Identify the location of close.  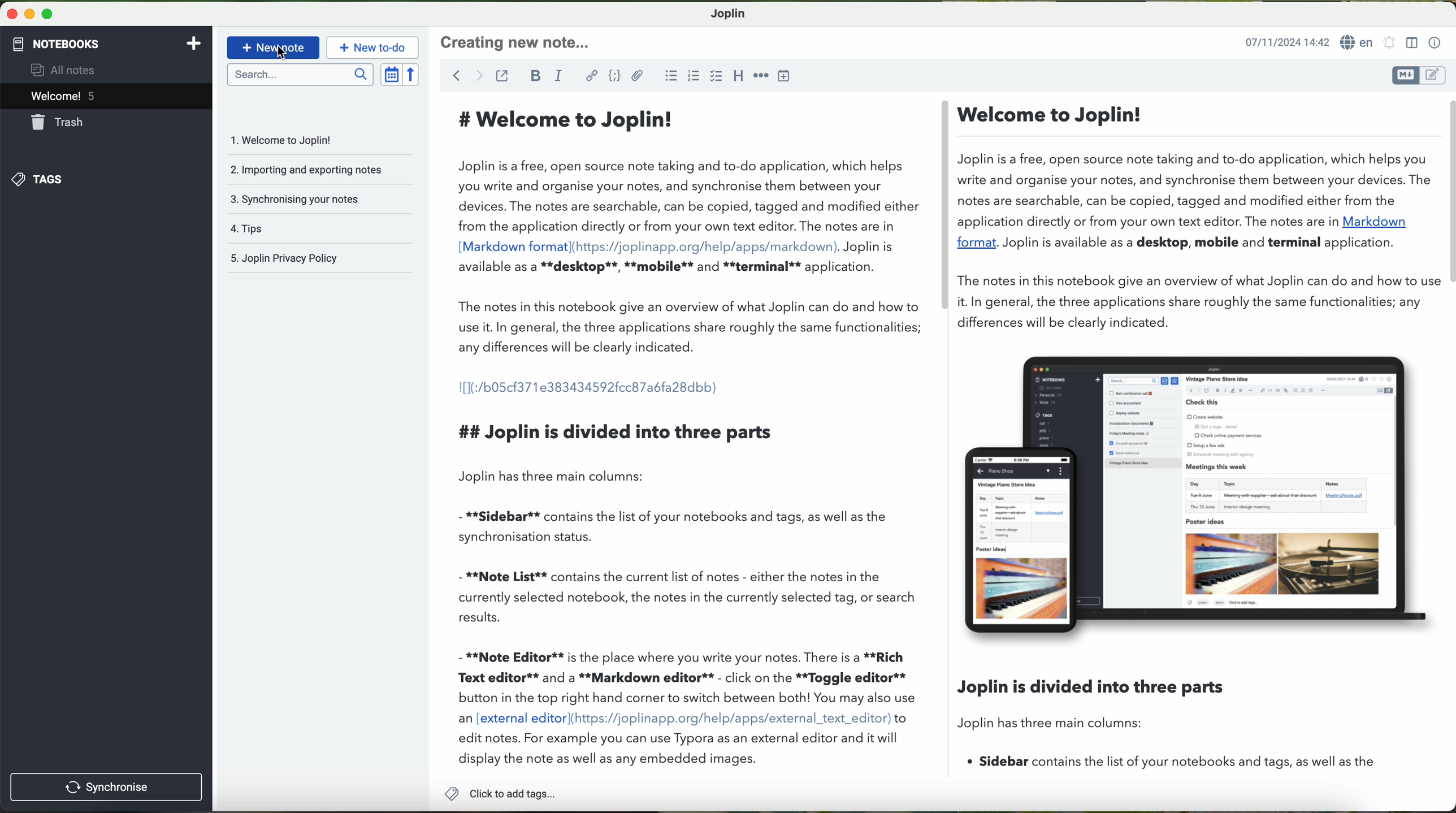
(9, 16).